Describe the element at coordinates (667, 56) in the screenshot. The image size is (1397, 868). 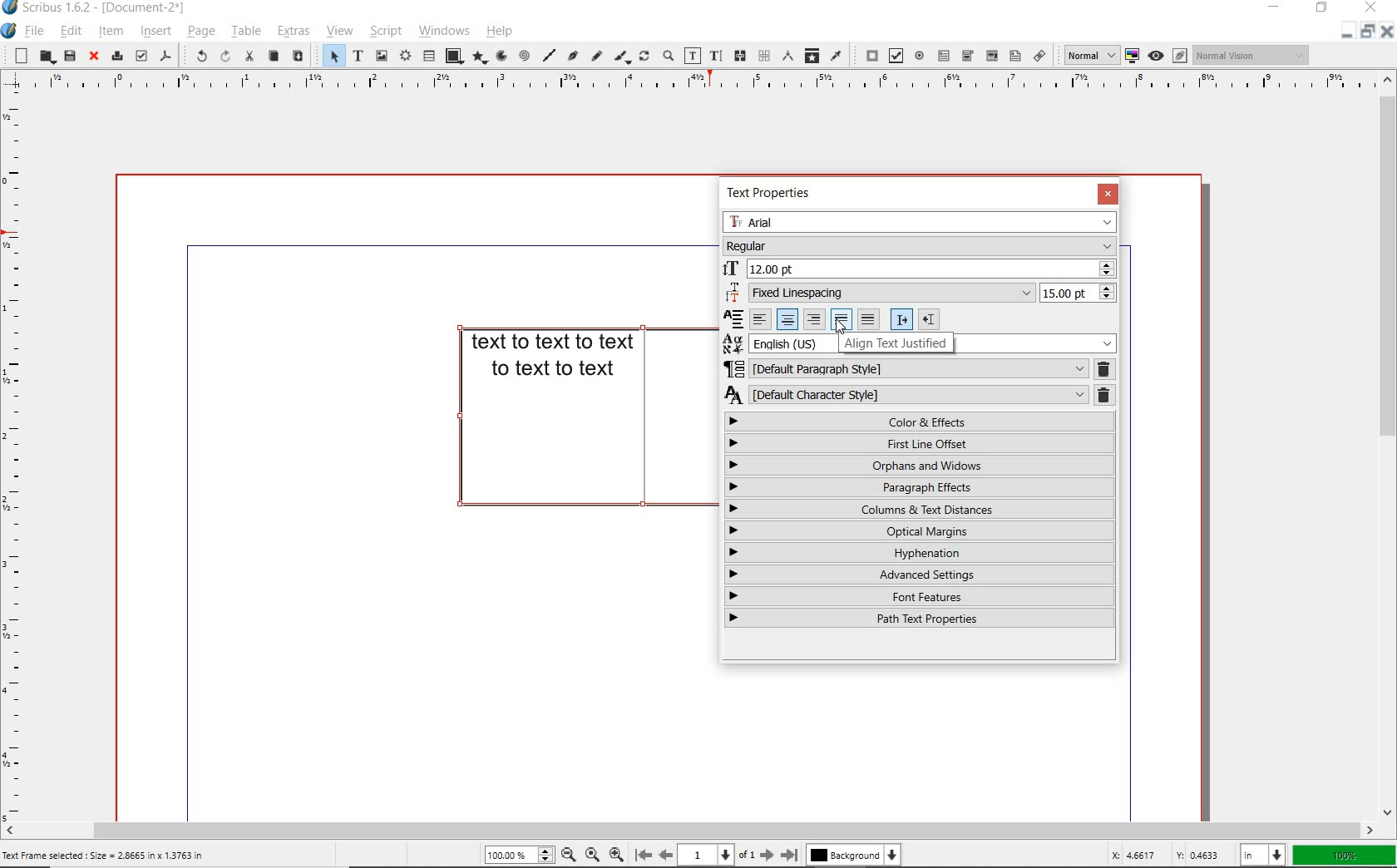
I see `zoom in or zoom out` at that location.